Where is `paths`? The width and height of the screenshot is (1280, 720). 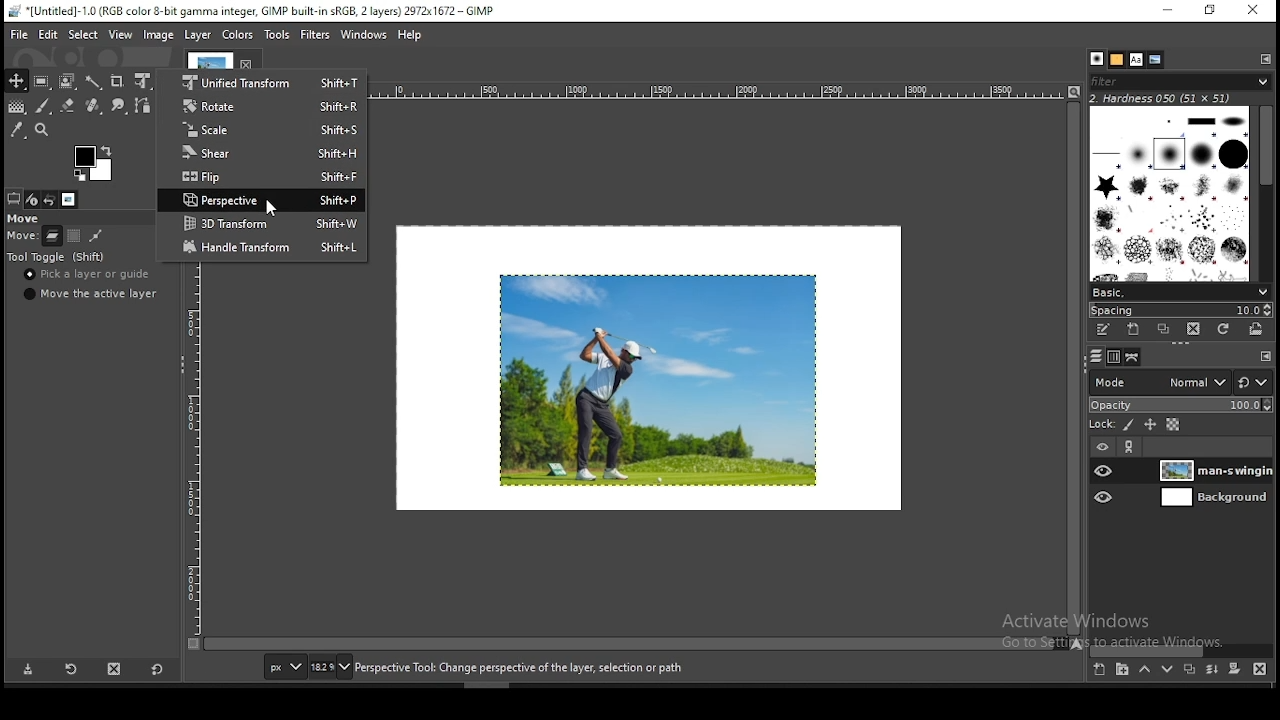
paths is located at coordinates (1133, 358).